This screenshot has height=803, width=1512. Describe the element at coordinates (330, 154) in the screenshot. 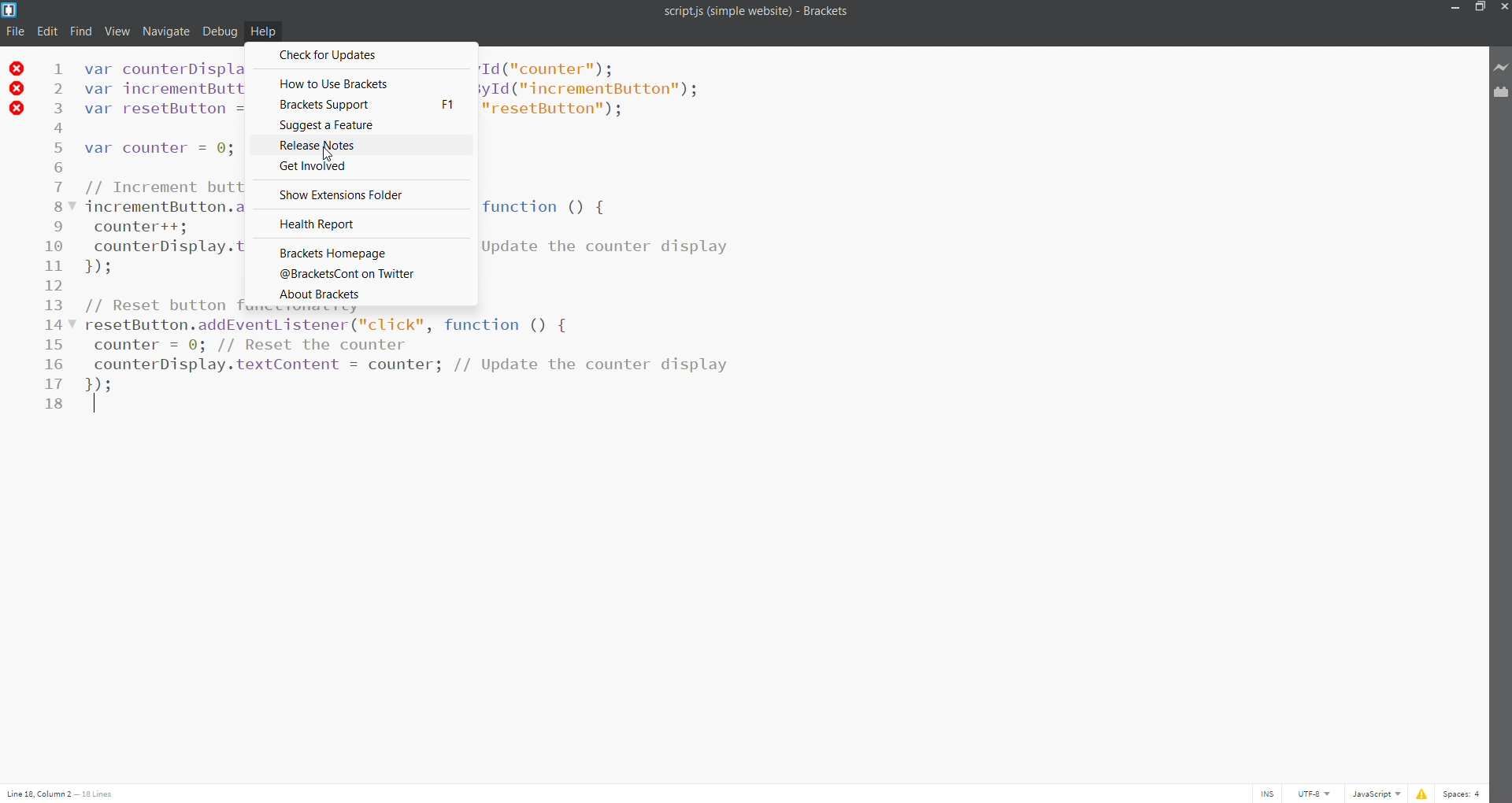

I see `cursor` at that location.